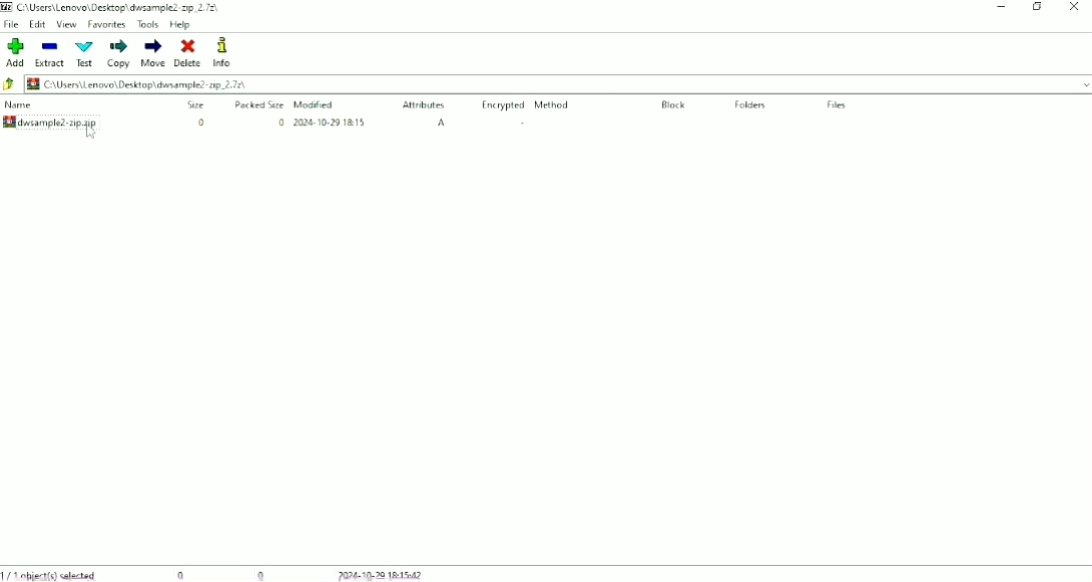 The width and height of the screenshot is (1092, 582). I want to click on 0, so click(280, 123).